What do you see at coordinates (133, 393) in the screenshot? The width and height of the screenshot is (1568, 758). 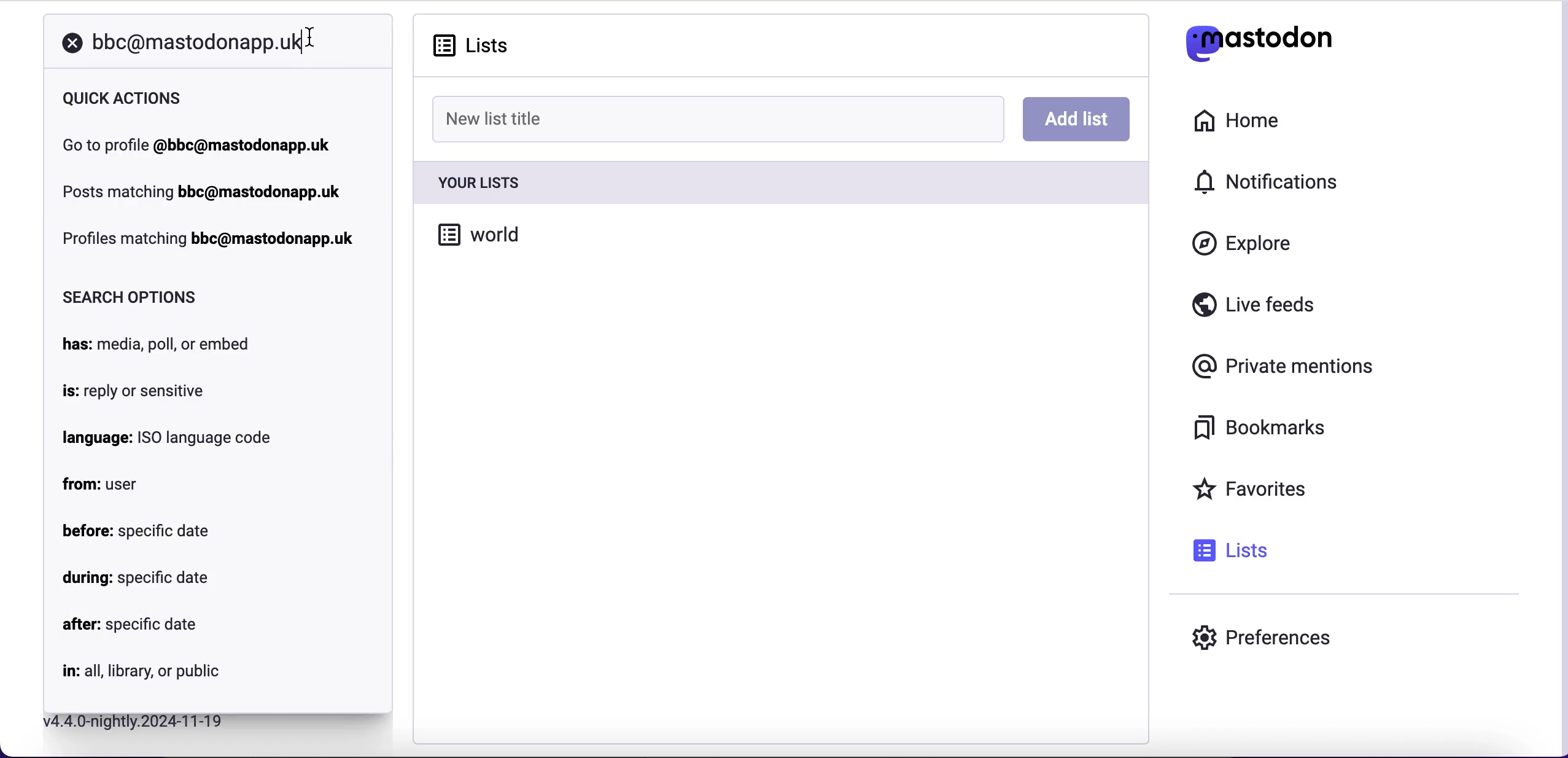 I see `is: reply or sensitive` at bounding box center [133, 393].